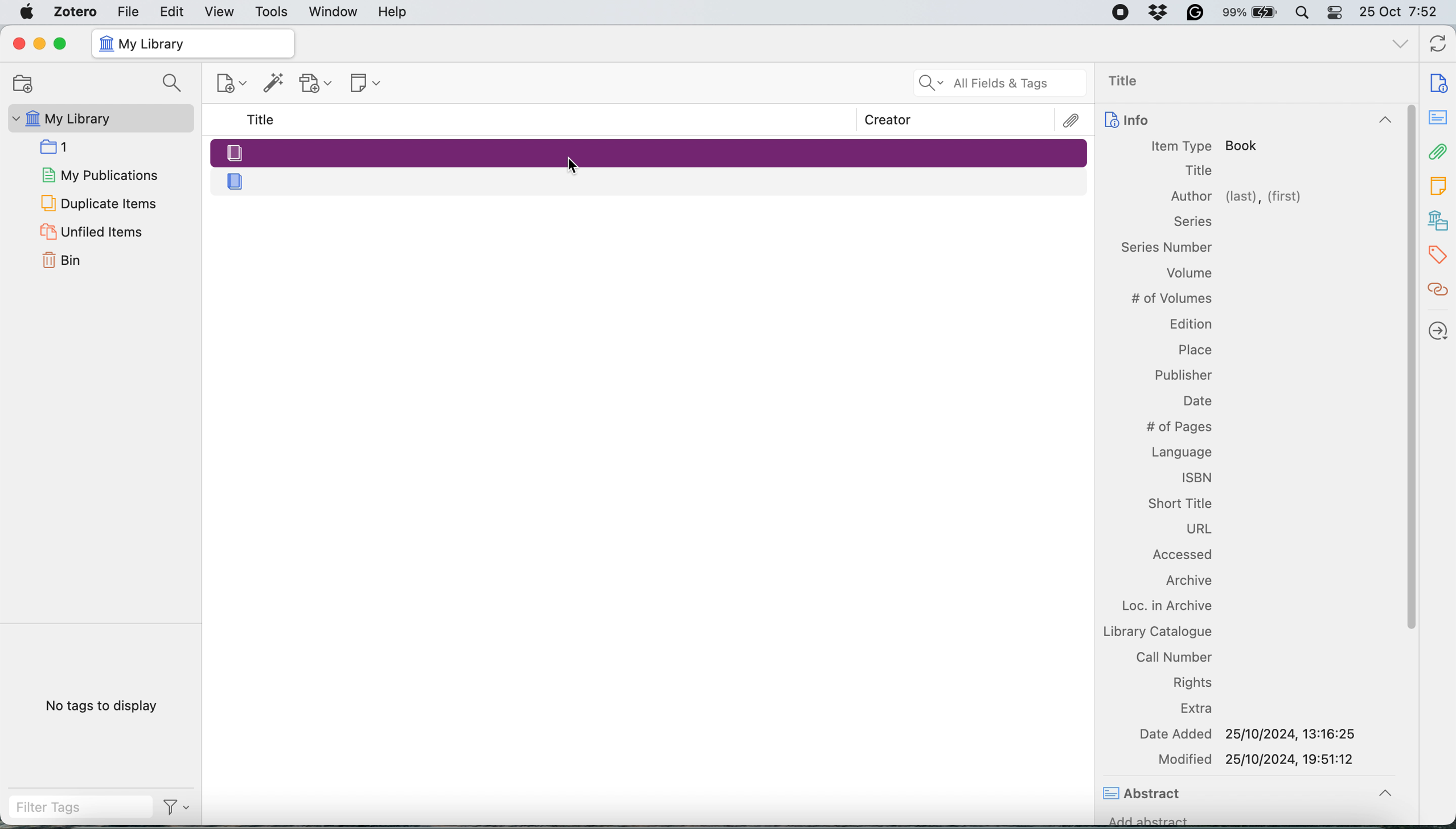  What do you see at coordinates (1149, 823) in the screenshot?
I see `Add abstract ` at bounding box center [1149, 823].